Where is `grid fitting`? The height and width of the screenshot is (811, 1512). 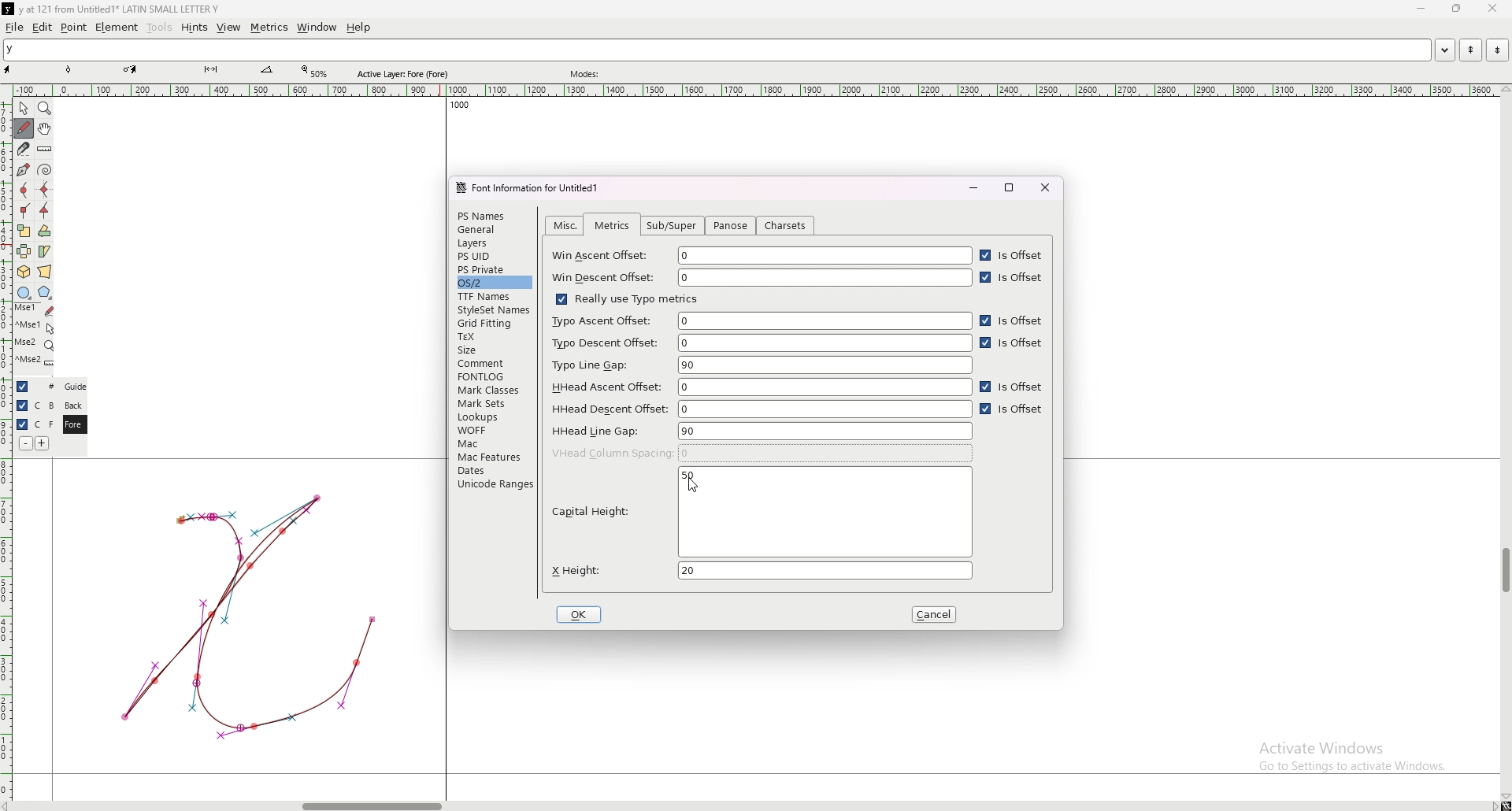 grid fitting is located at coordinates (491, 324).